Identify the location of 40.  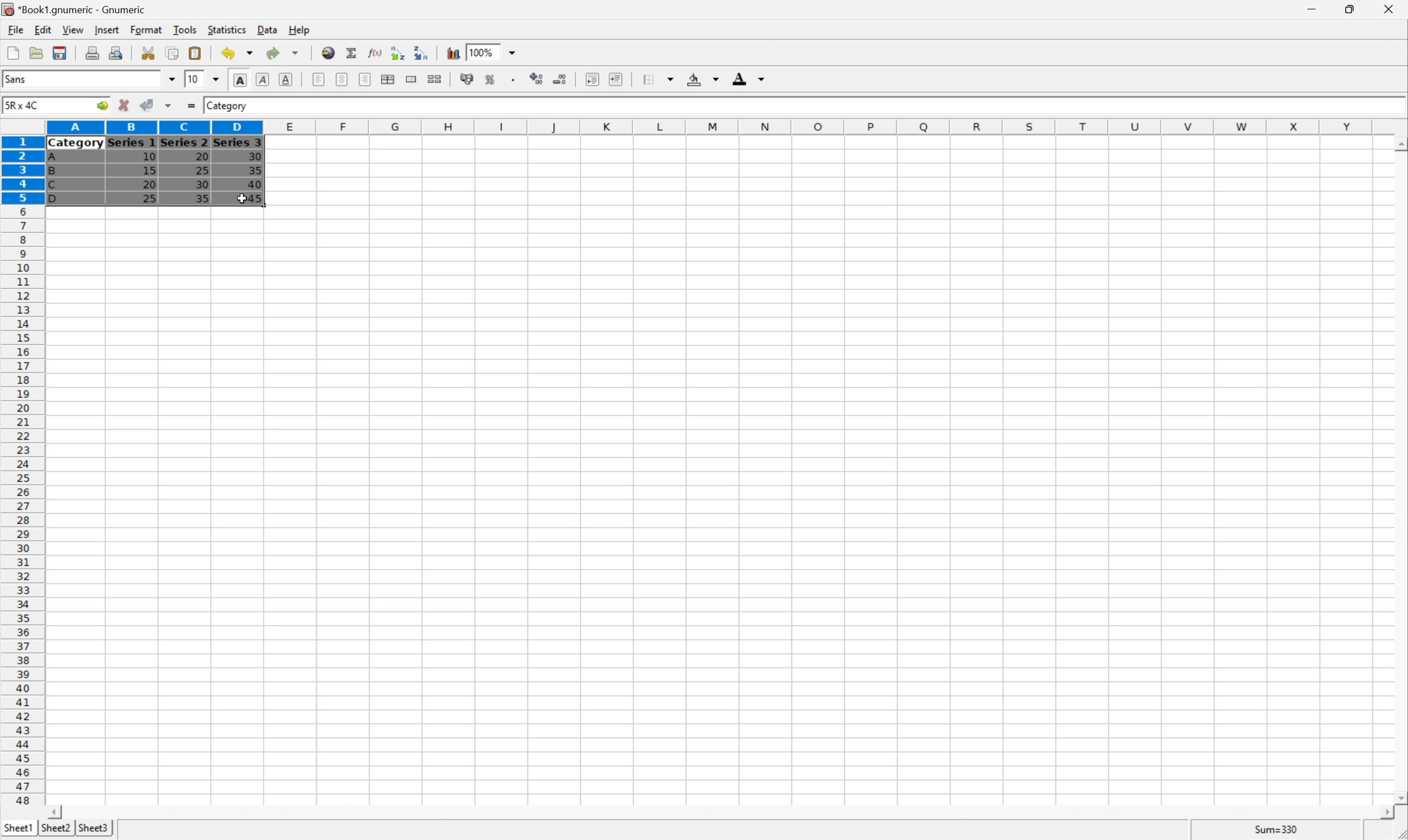
(255, 182).